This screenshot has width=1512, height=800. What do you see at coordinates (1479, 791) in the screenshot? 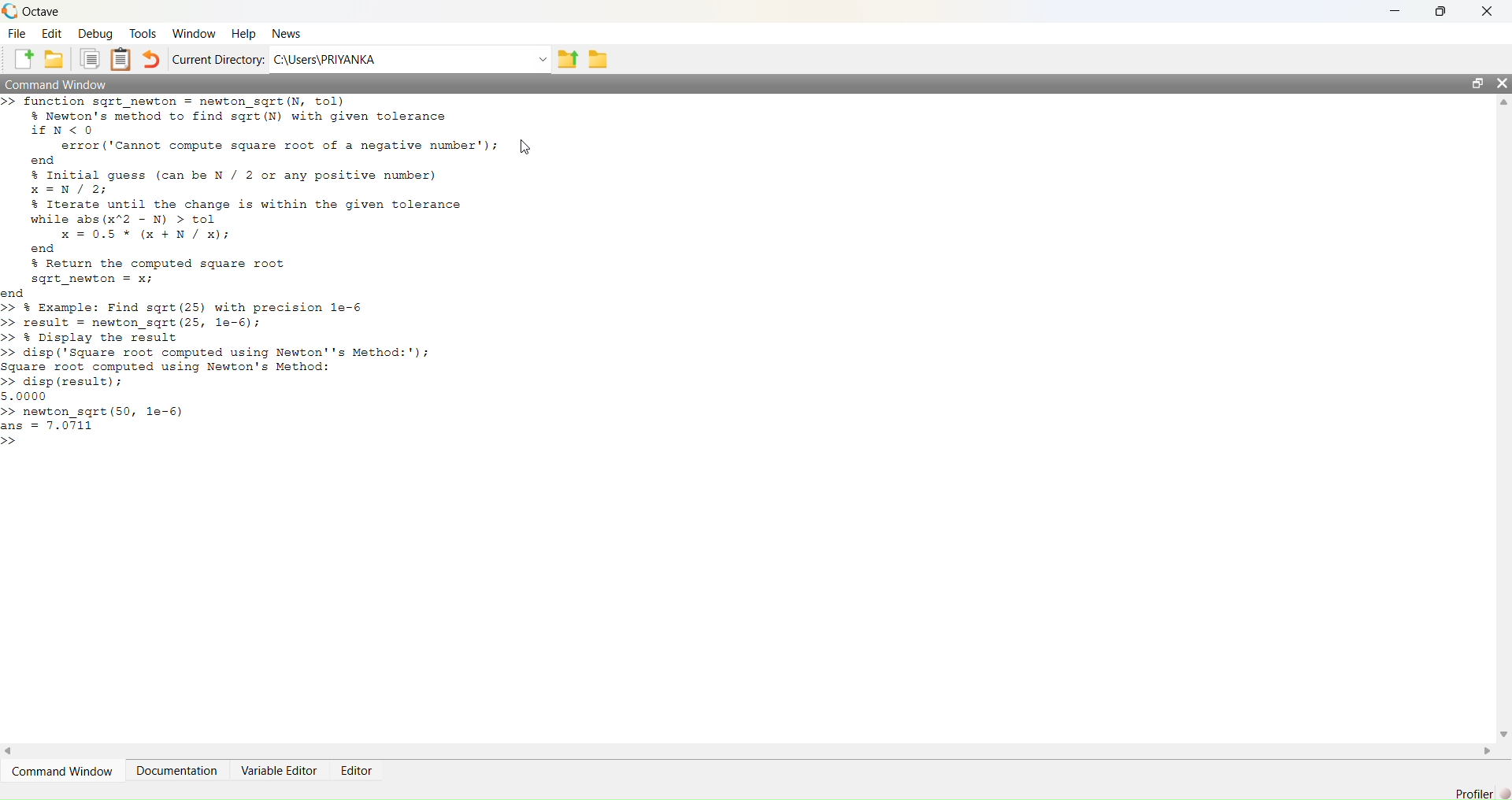
I see `Profiler` at bounding box center [1479, 791].